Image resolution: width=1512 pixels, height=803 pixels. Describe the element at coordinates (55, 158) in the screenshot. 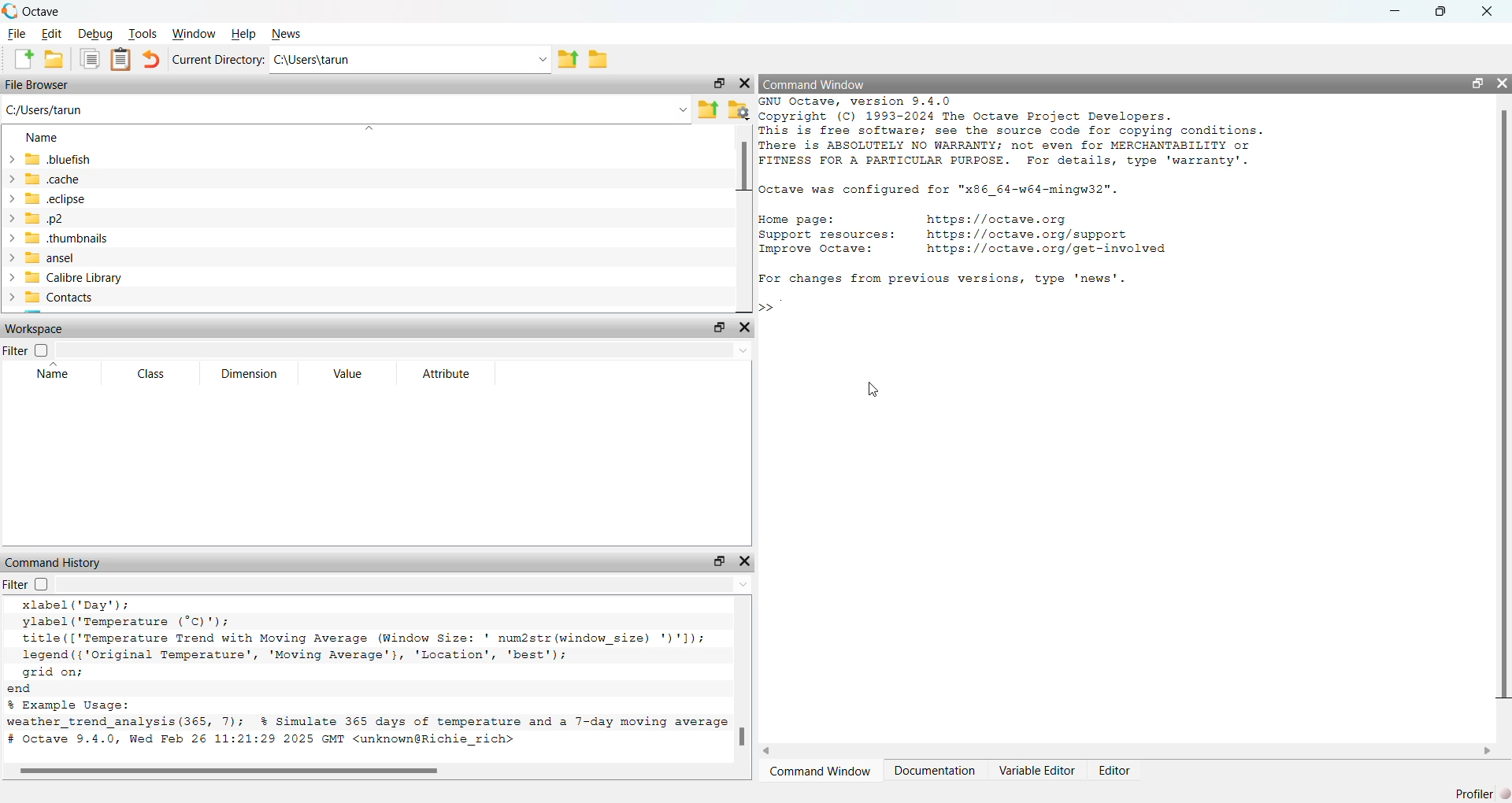

I see `bluefish` at that location.